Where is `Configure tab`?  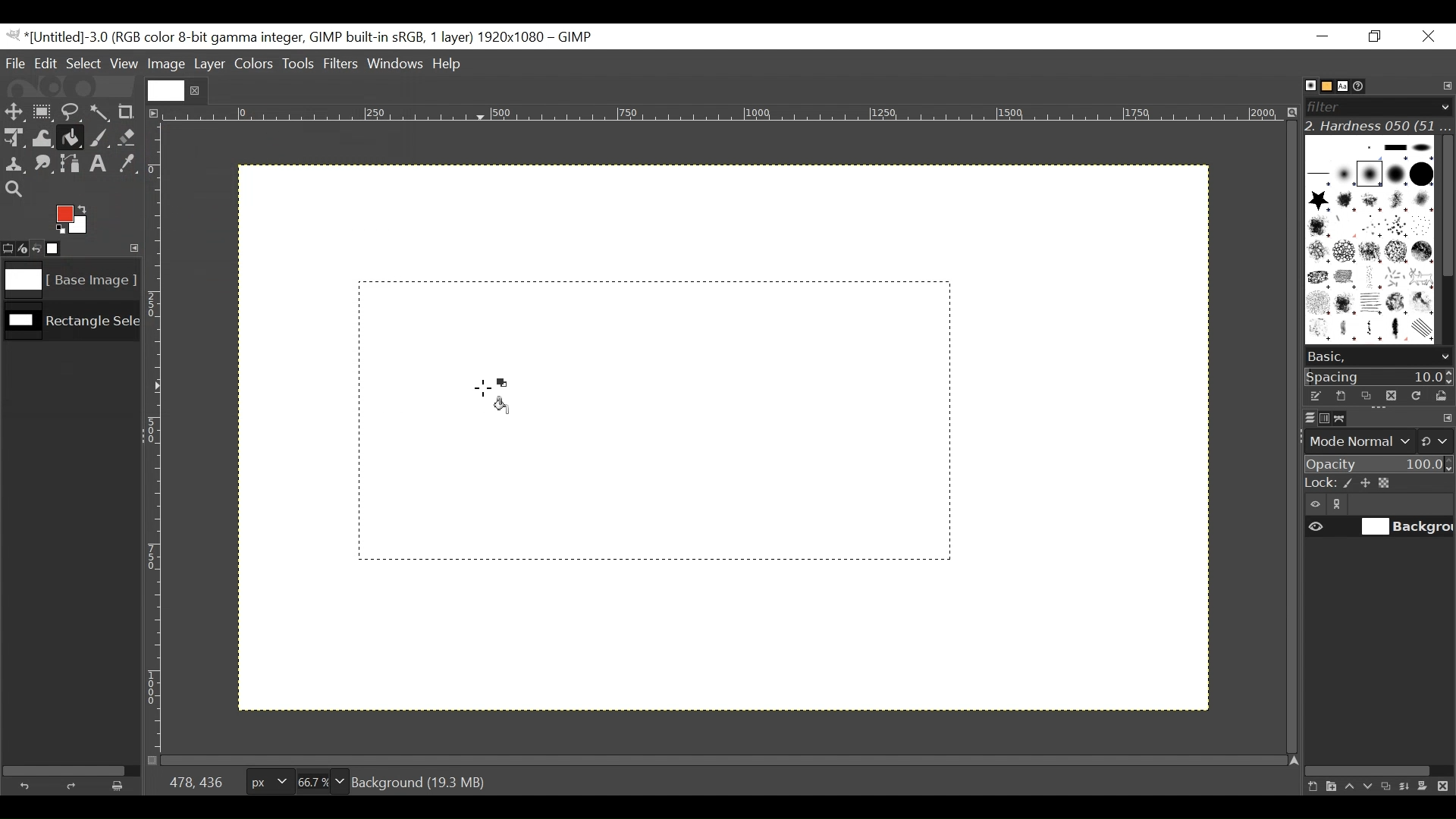 Configure tab is located at coordinates (1445, 86).